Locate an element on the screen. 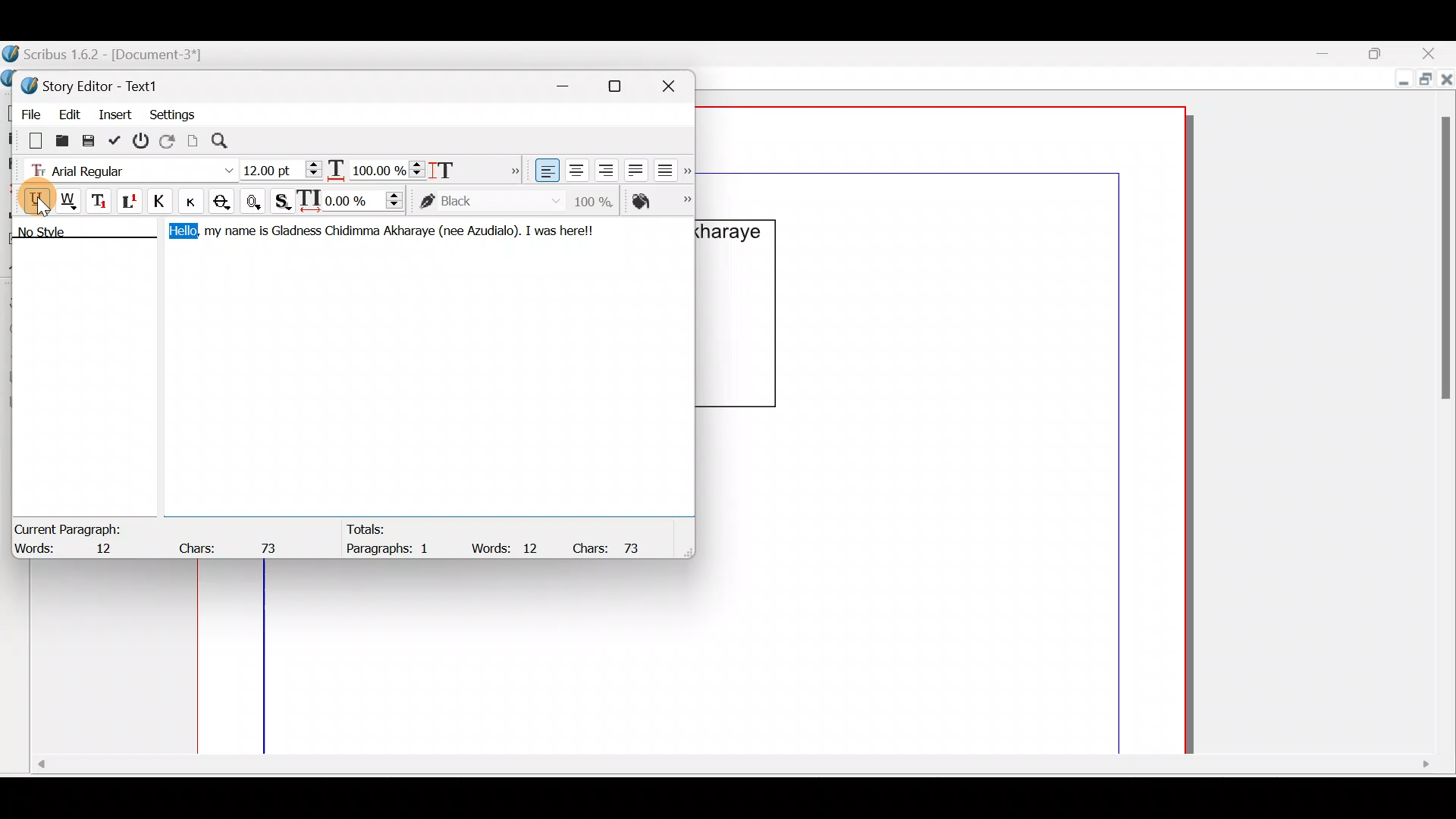 The image size is (1456, 819). Close is located at coordinates (675, 83).